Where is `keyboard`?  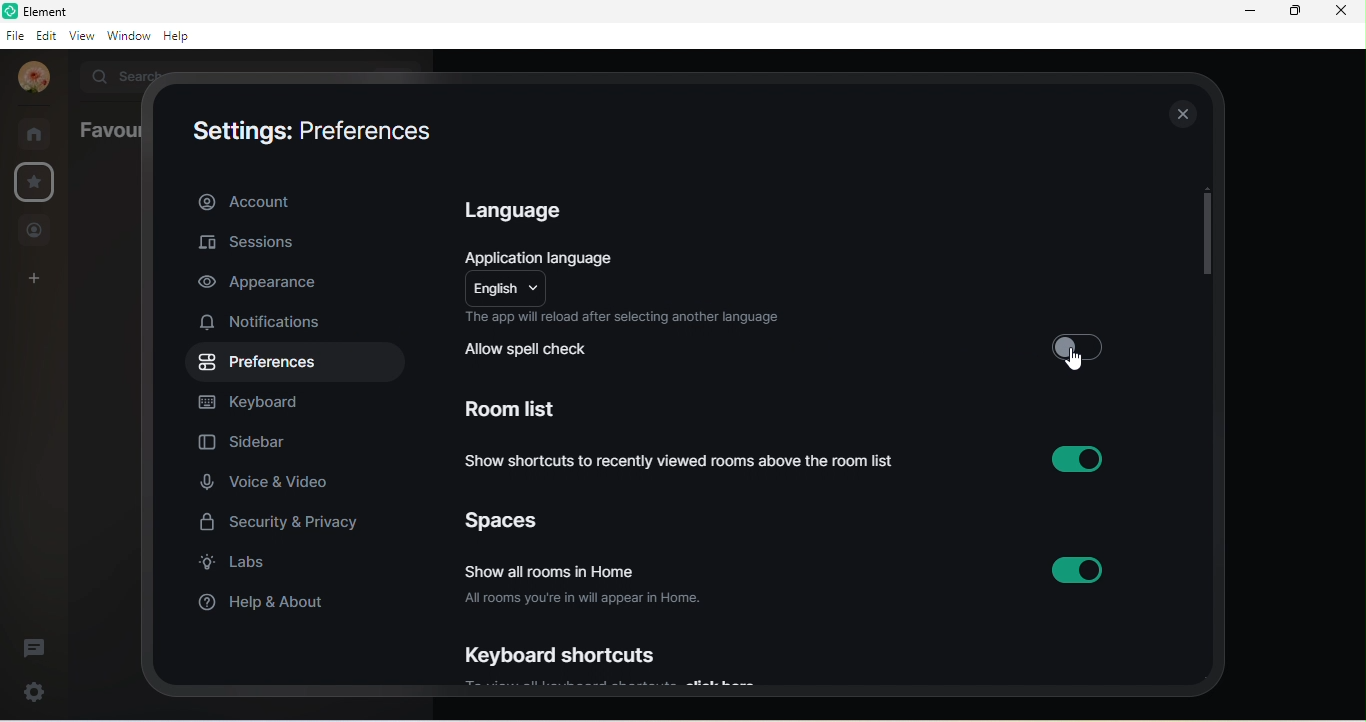
keyboard is located at coordinates (253, 402).